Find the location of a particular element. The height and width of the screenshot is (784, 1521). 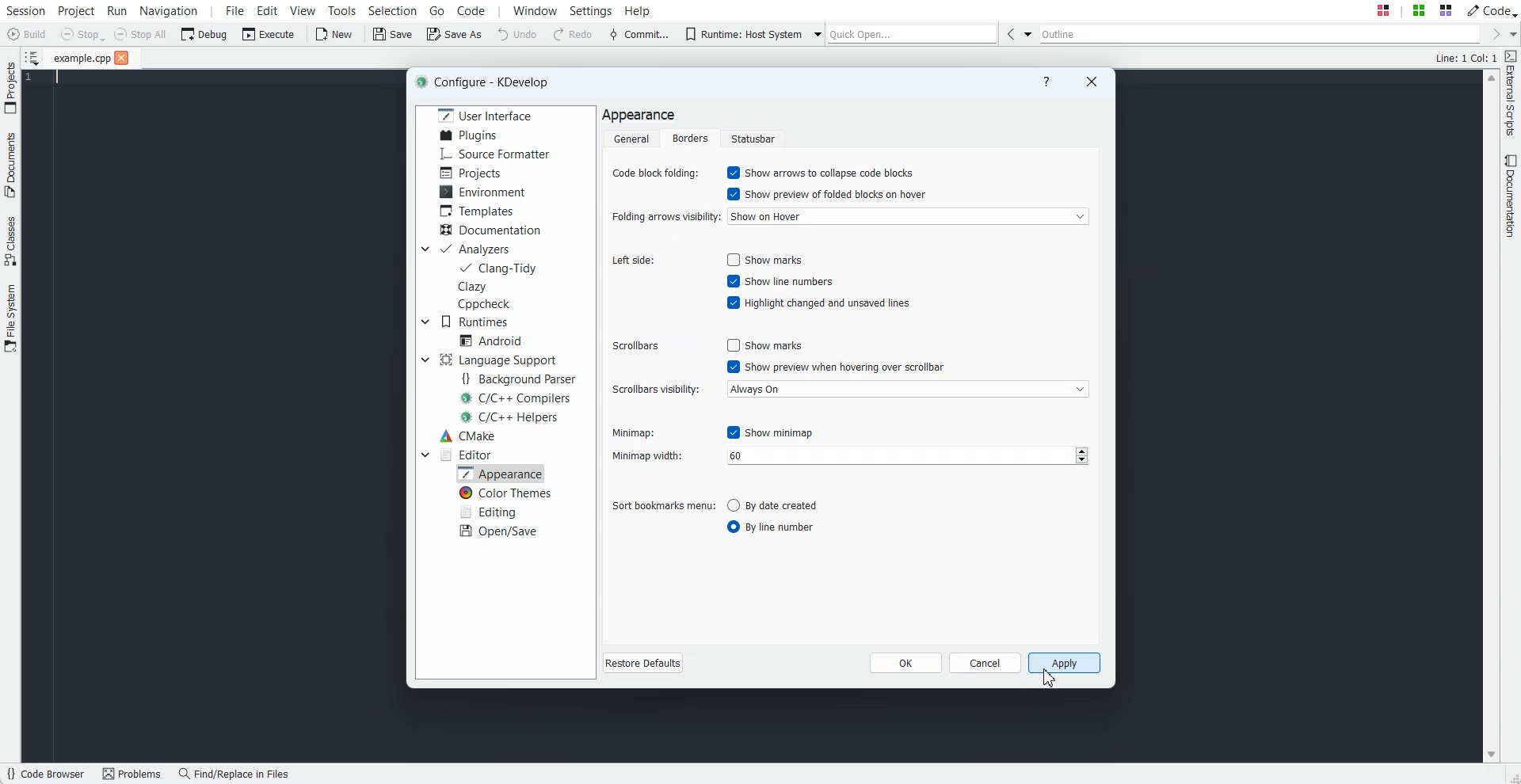

Text Cursor is located at coordinates (51, 78).